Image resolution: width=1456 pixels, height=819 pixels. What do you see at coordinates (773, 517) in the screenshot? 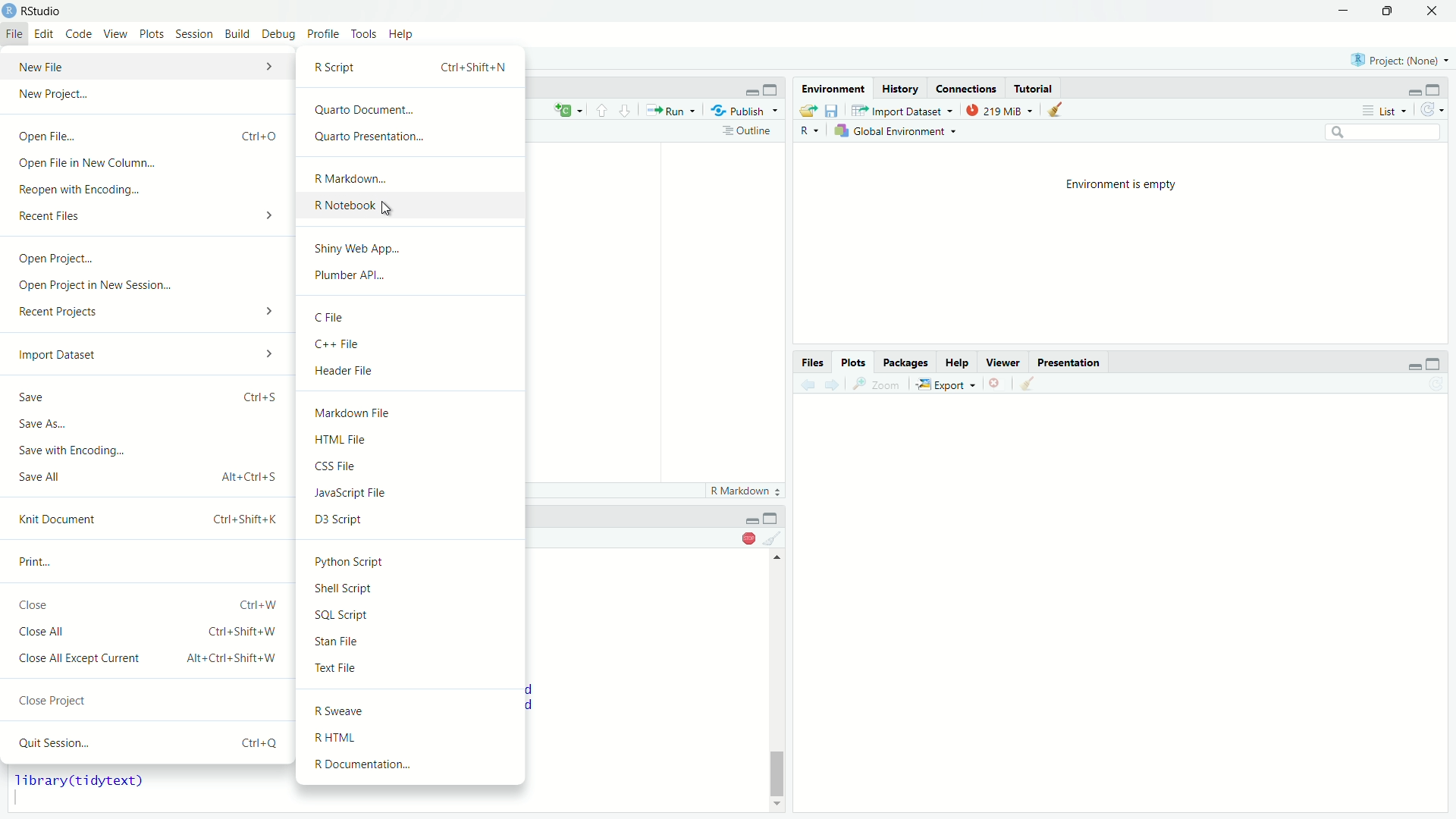
I see `minimize` at bounding box center [773, 517].